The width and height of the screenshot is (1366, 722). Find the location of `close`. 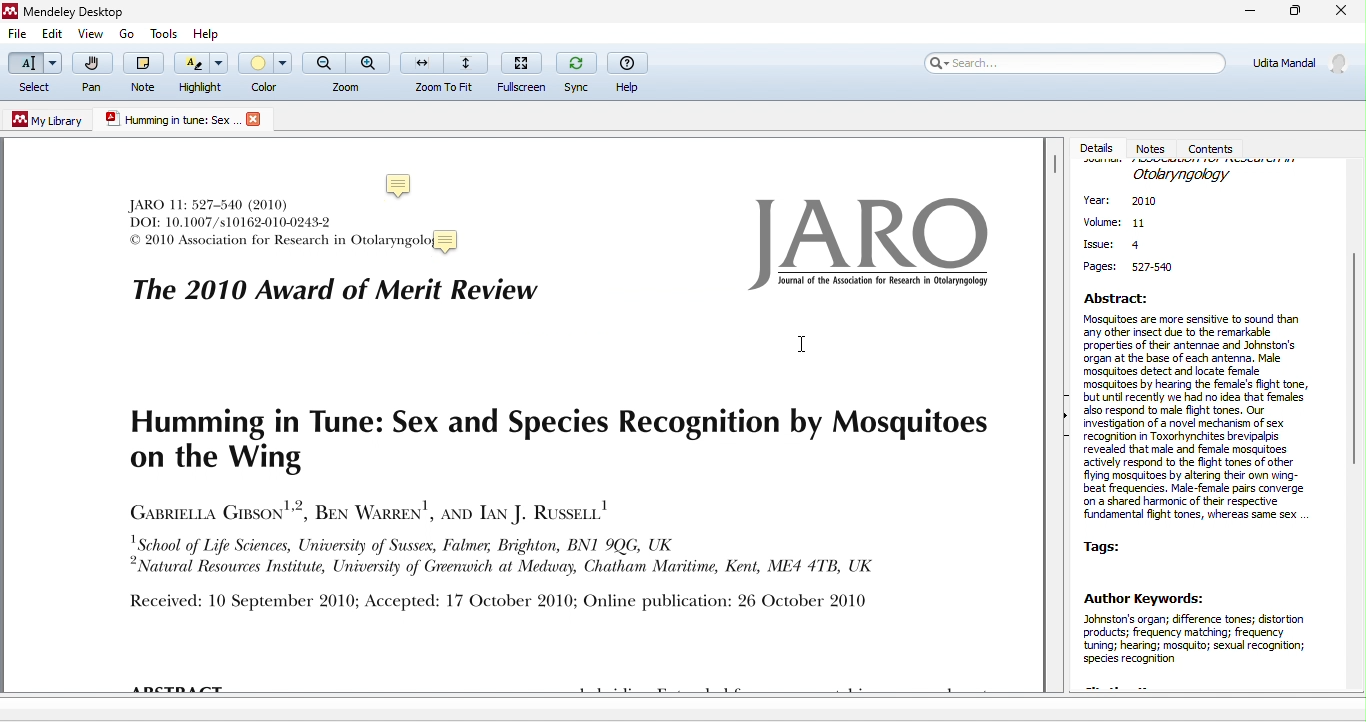

close is located at coordinates (254, 120).